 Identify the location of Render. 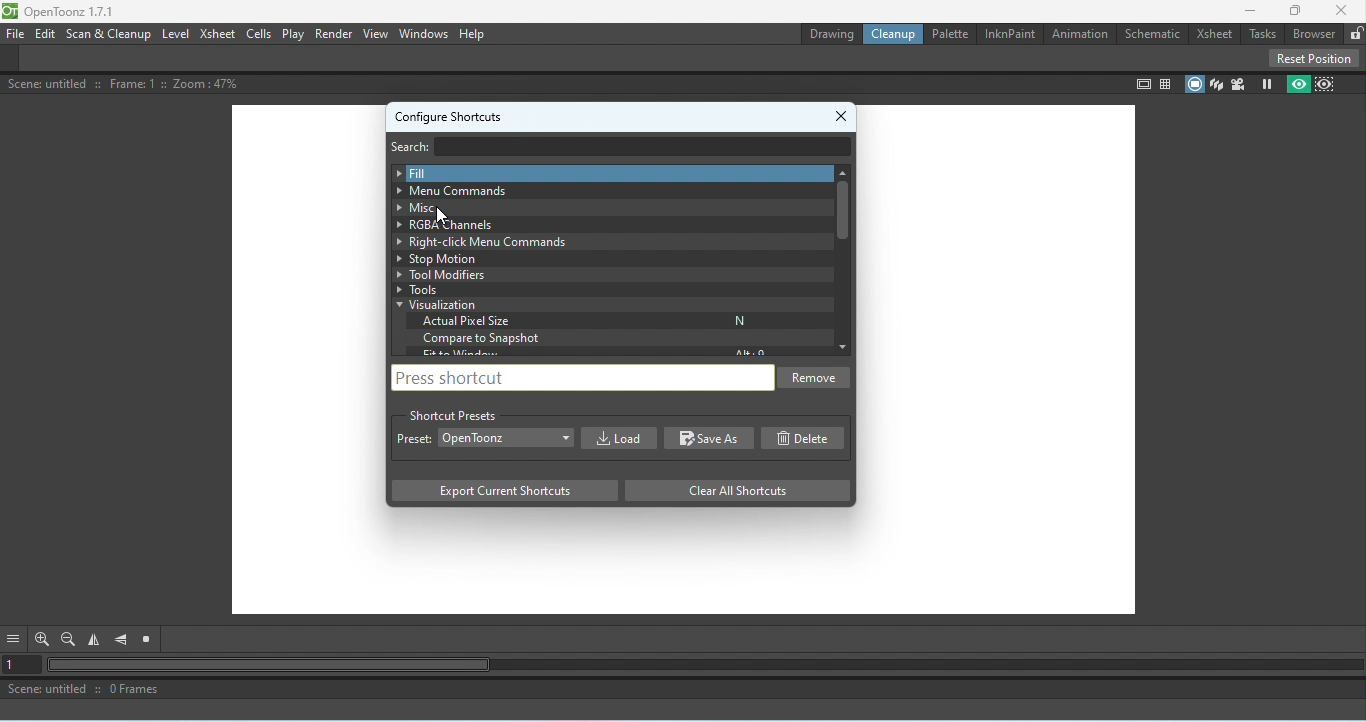
(333, 35).